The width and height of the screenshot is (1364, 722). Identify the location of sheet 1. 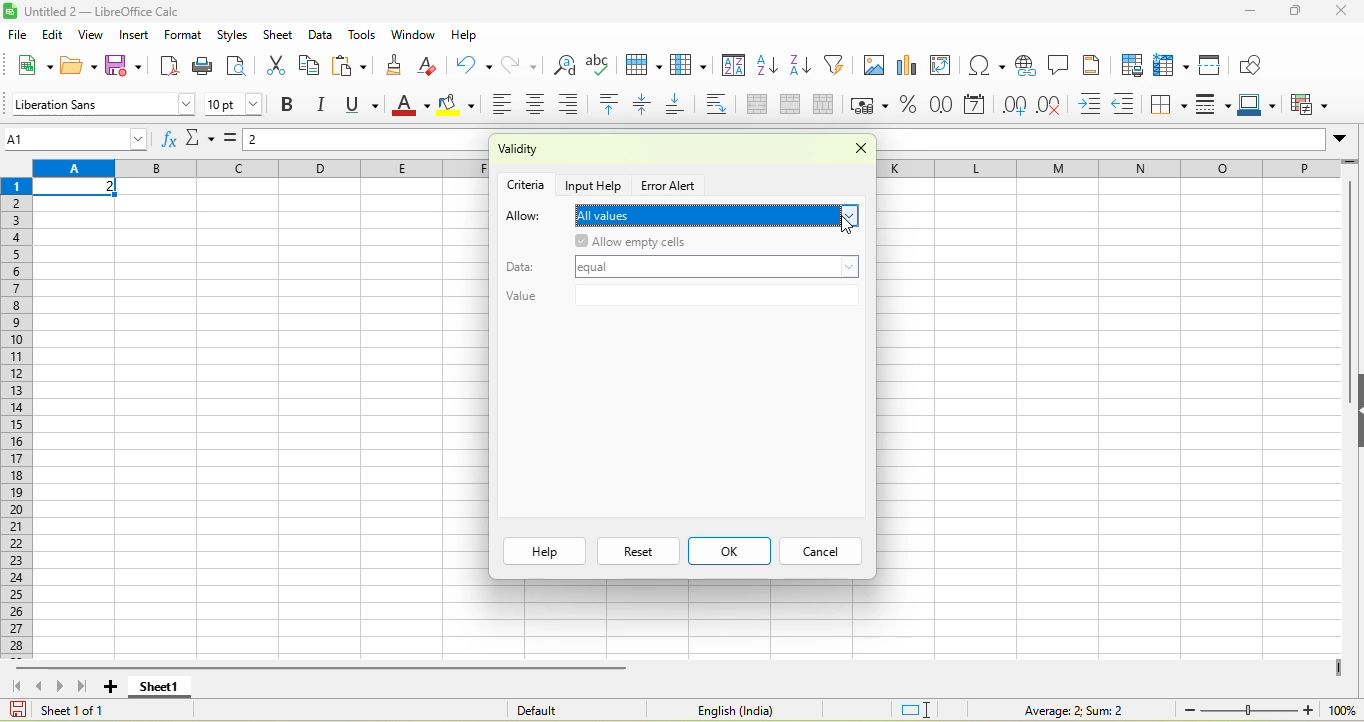
(158, 687).